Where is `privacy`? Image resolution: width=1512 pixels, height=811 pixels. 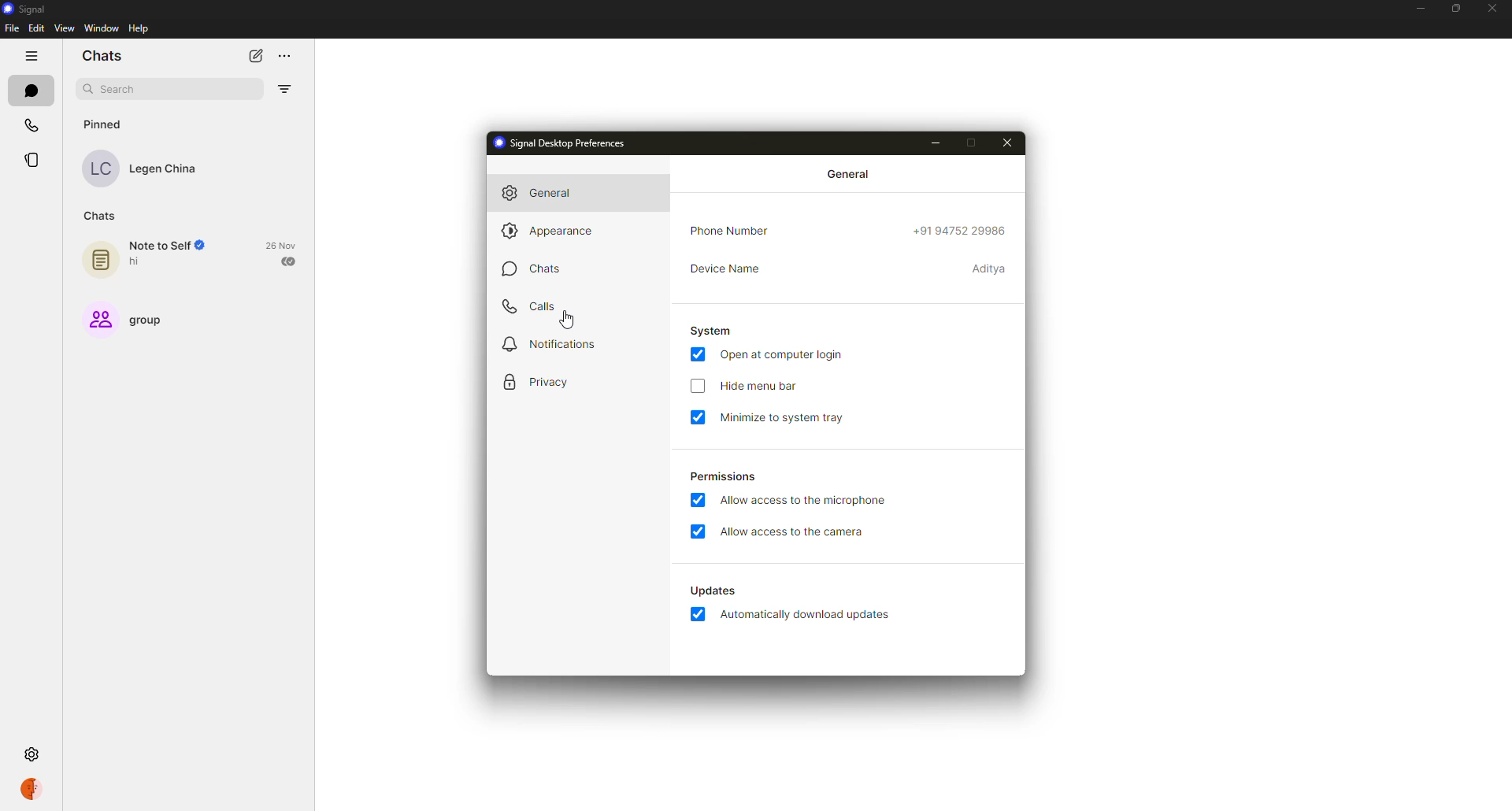 privacy is located at coordinates (539, 383).